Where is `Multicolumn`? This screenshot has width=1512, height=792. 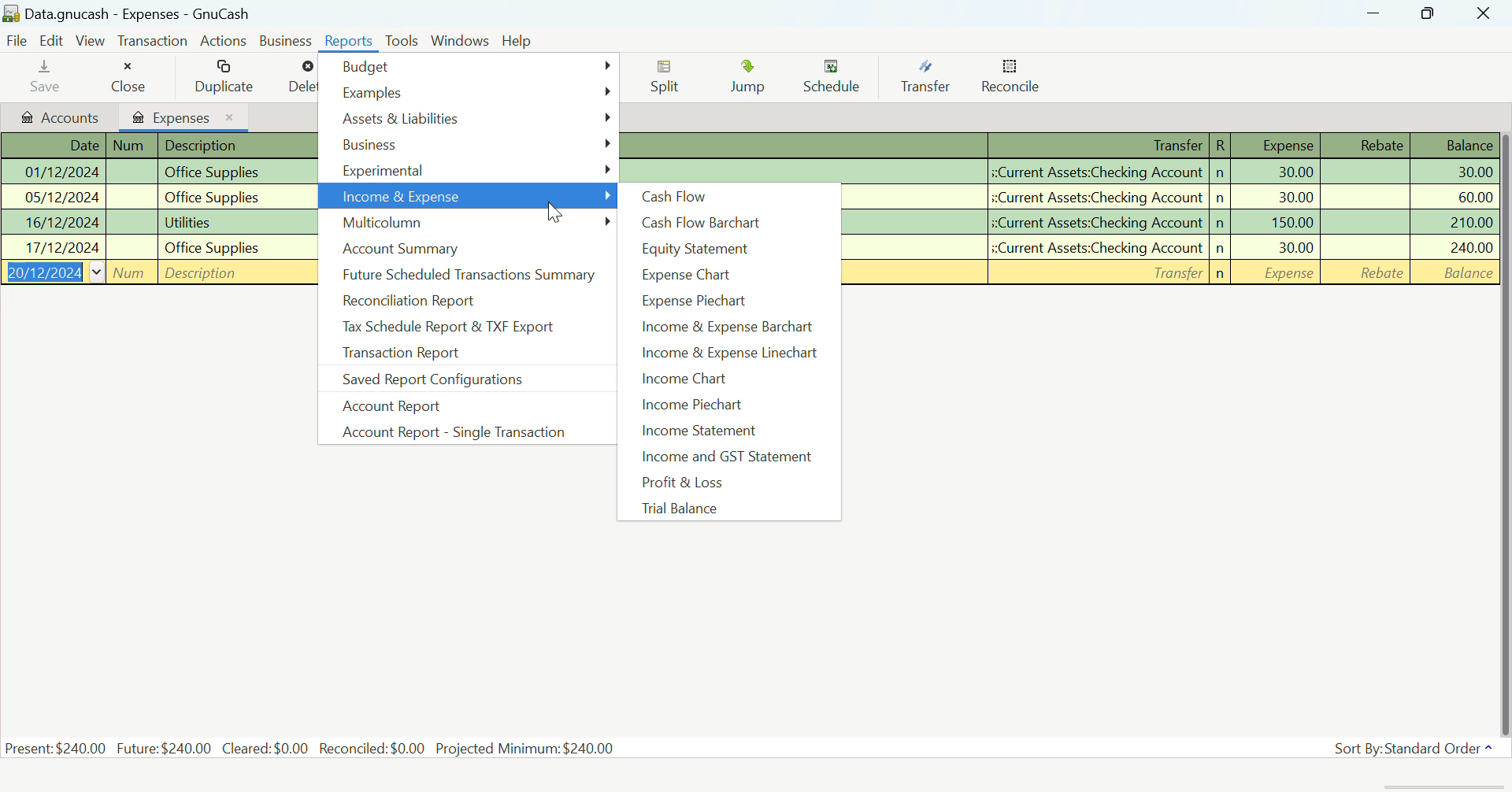 Multicolumn is located at coordinates (469, 224).